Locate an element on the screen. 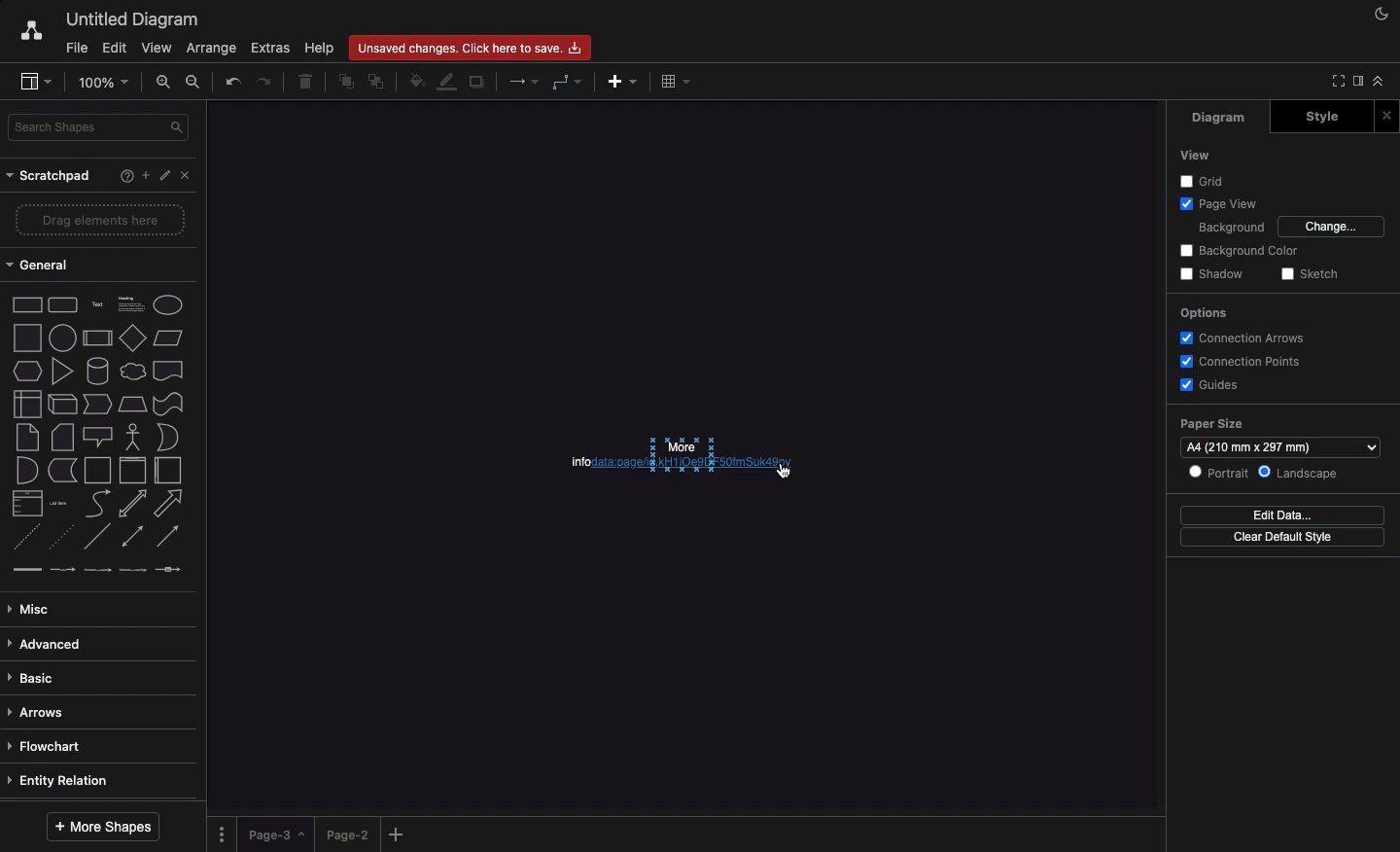  trapezoid is located at coordinates (132, 405).